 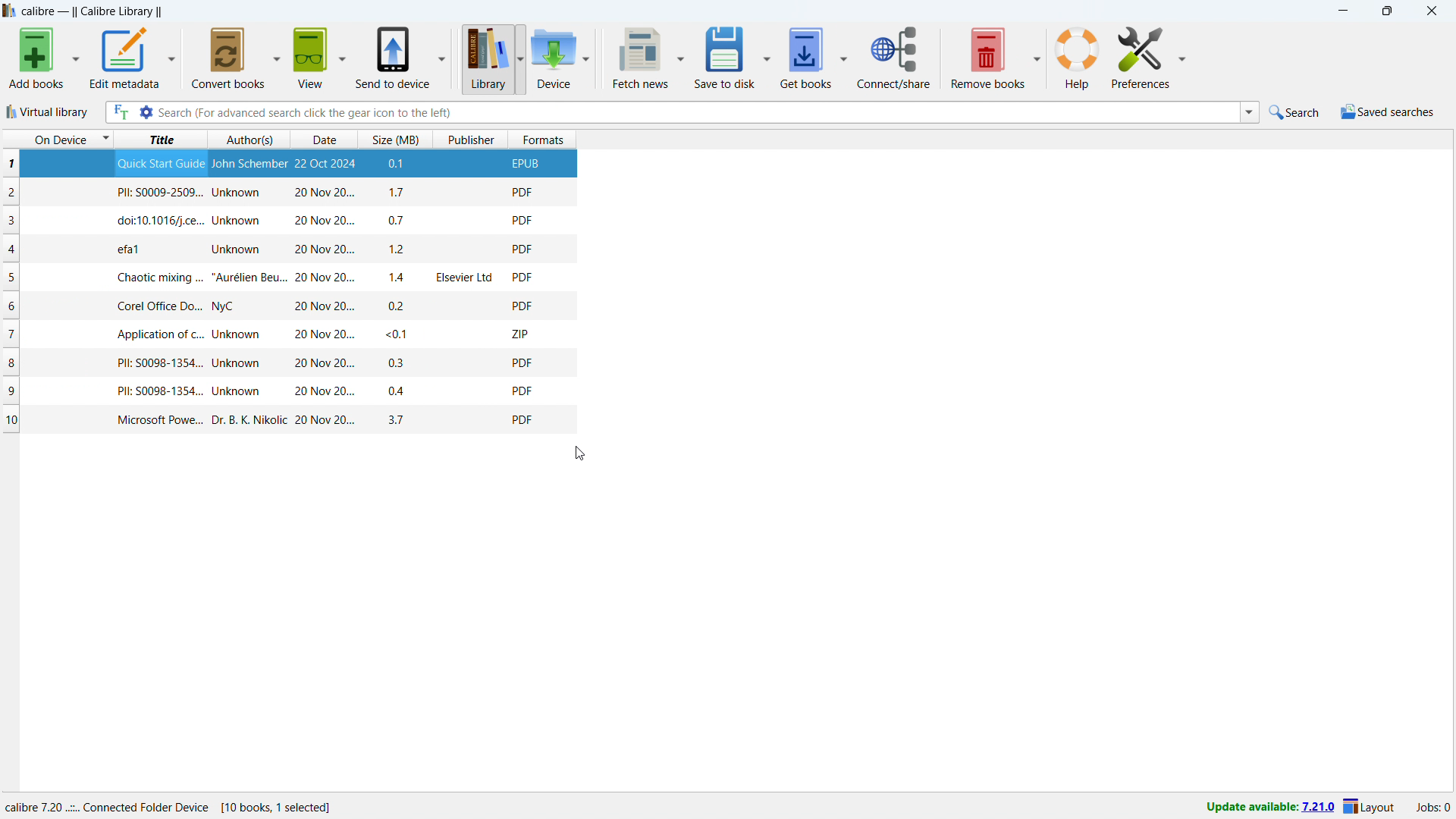 What do you see at coordinates (392, 58) in the screenshot?
I see `send to device` at bounding box center [392, 58].